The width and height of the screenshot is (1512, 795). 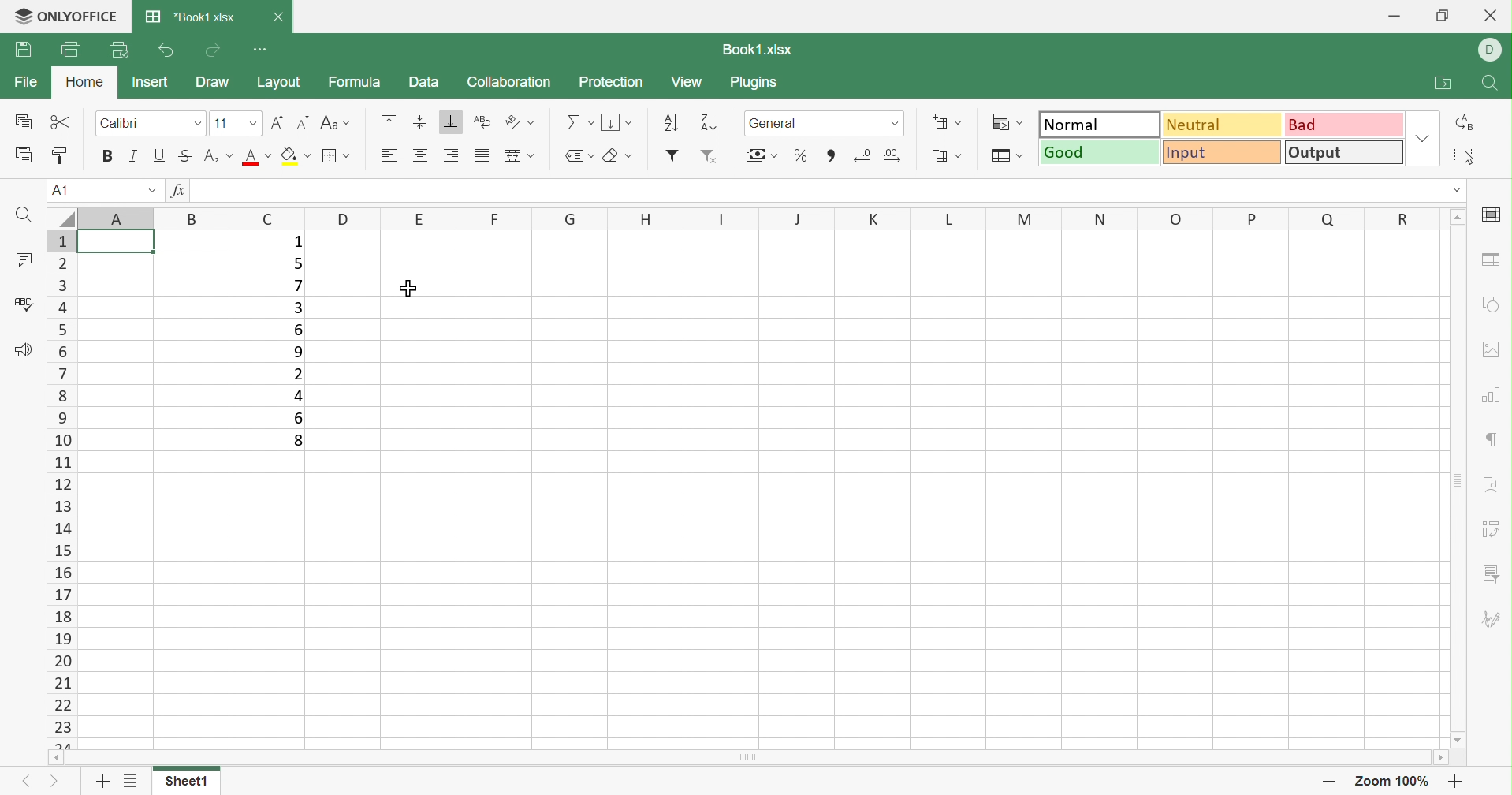 What do you see at coordinates (63, 121) in the screenshot?
I see `Cut` at bounding box center [63, 121].